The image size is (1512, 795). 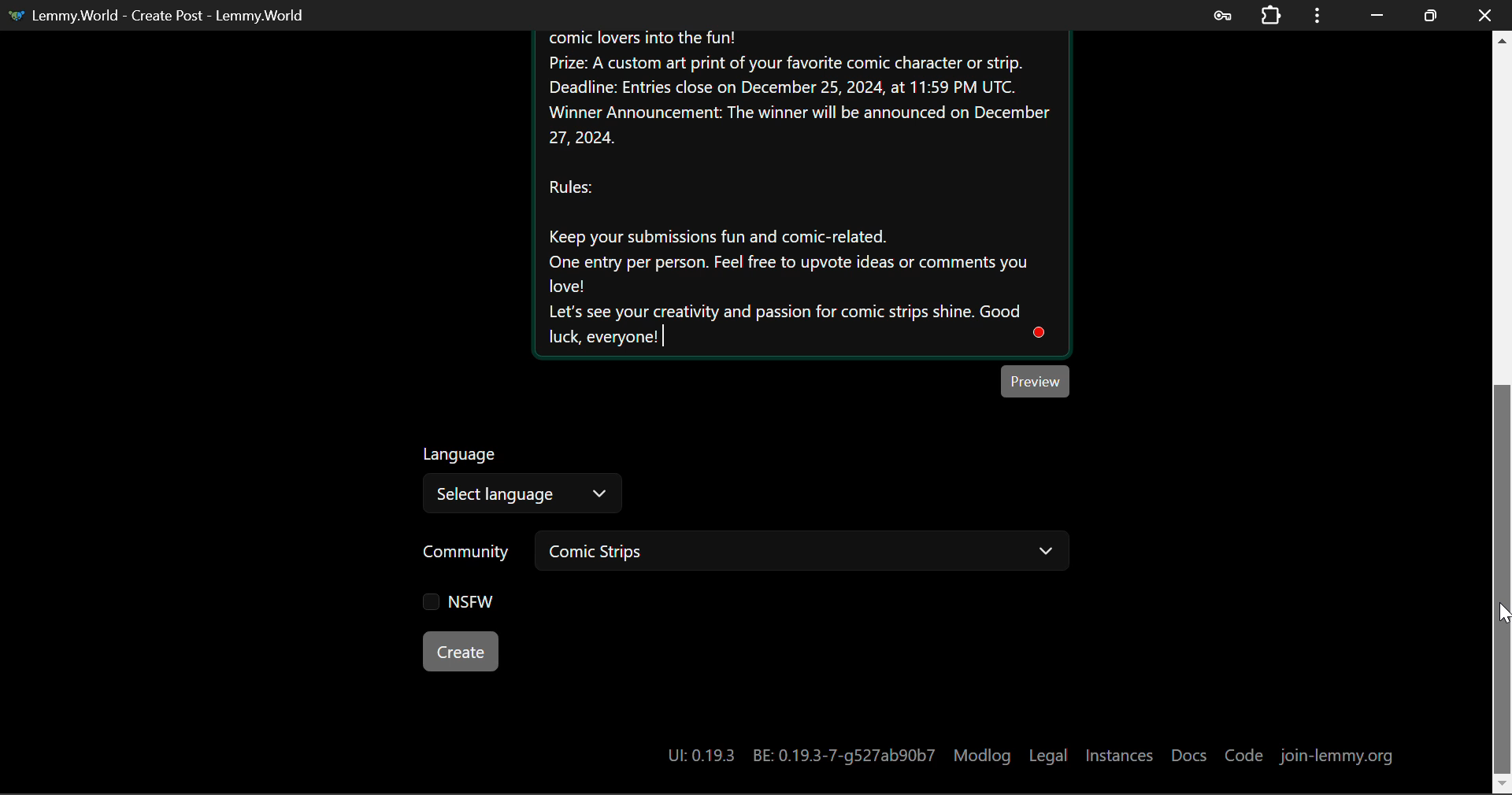 What do you see at coordinates (982, 756) in the screenshot?
I see `Modlog` at bounding box center [982, 756].